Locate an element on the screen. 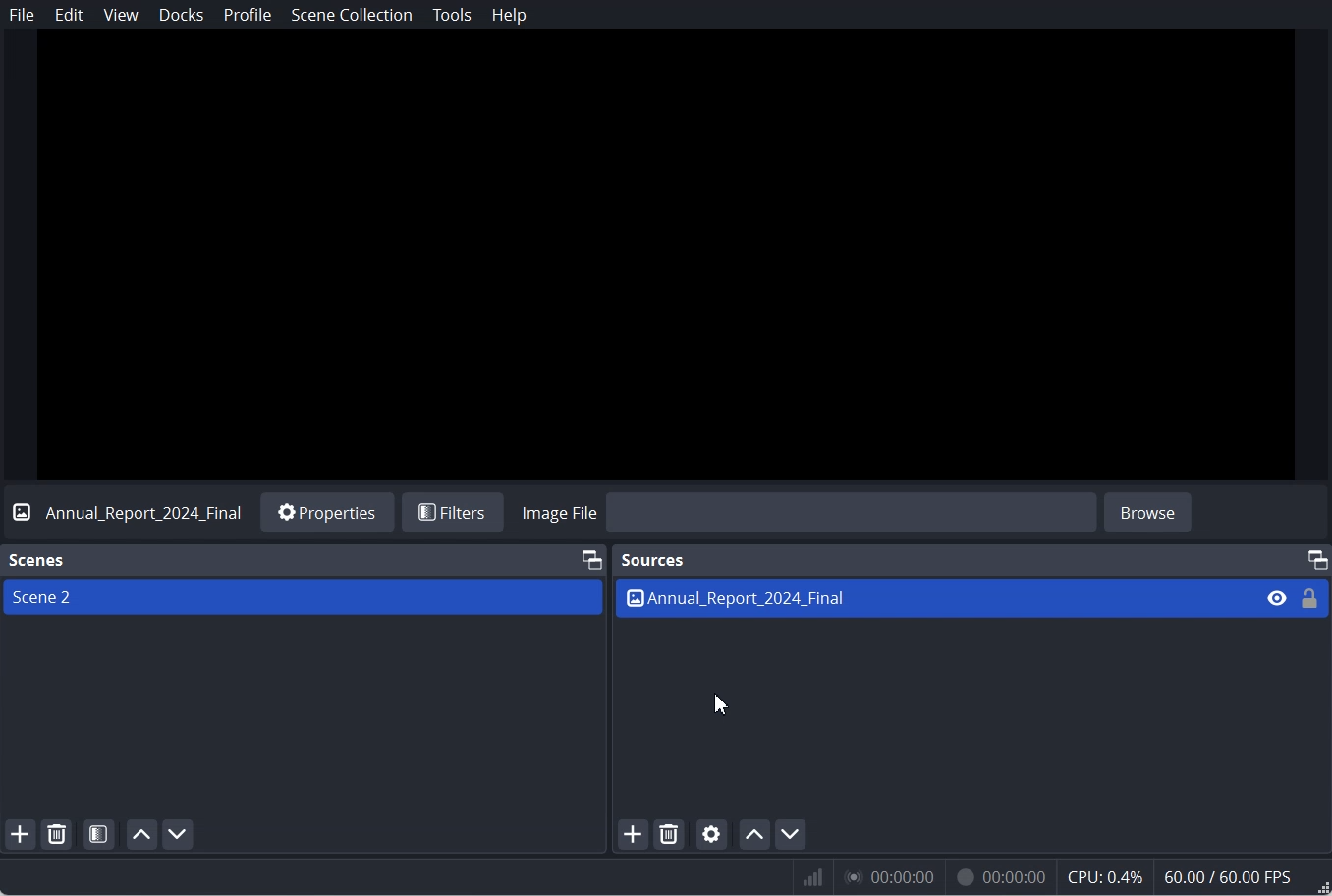 This screenshot has height=896, width=1332. Move source up is located at coordinates (754, 834).